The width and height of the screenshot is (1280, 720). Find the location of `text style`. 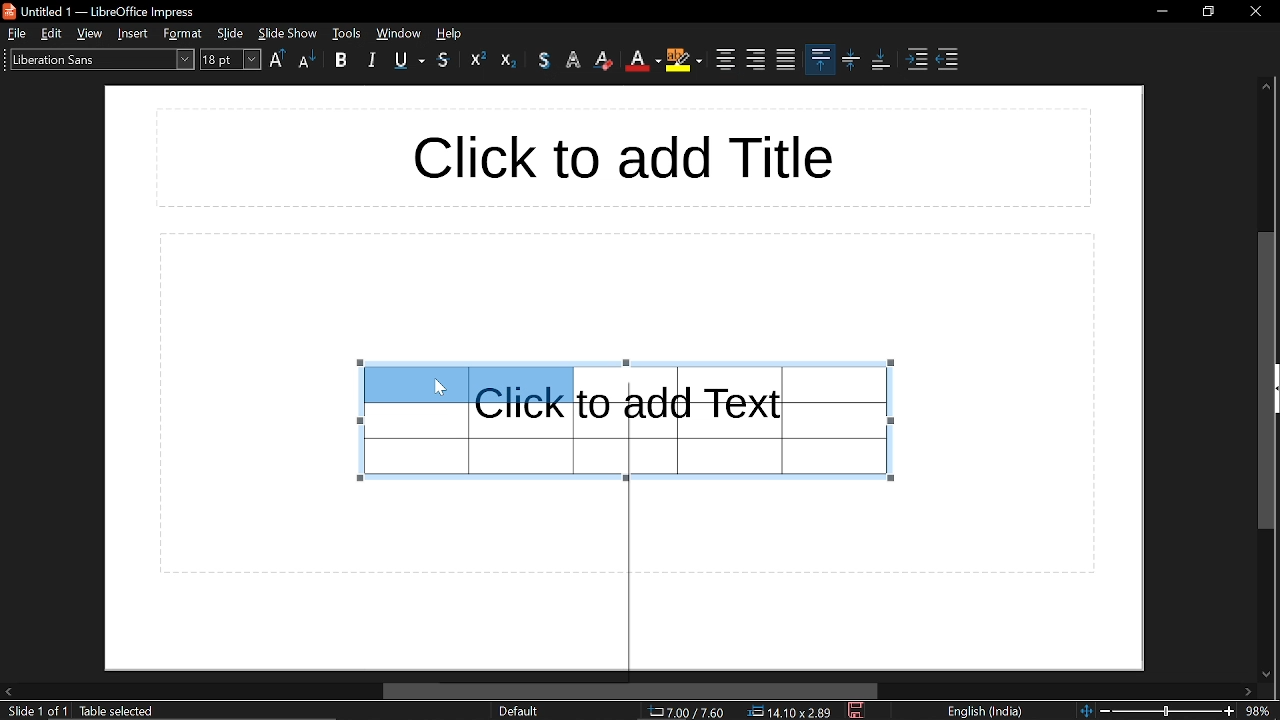

text style is located at coordinates (99, 59).